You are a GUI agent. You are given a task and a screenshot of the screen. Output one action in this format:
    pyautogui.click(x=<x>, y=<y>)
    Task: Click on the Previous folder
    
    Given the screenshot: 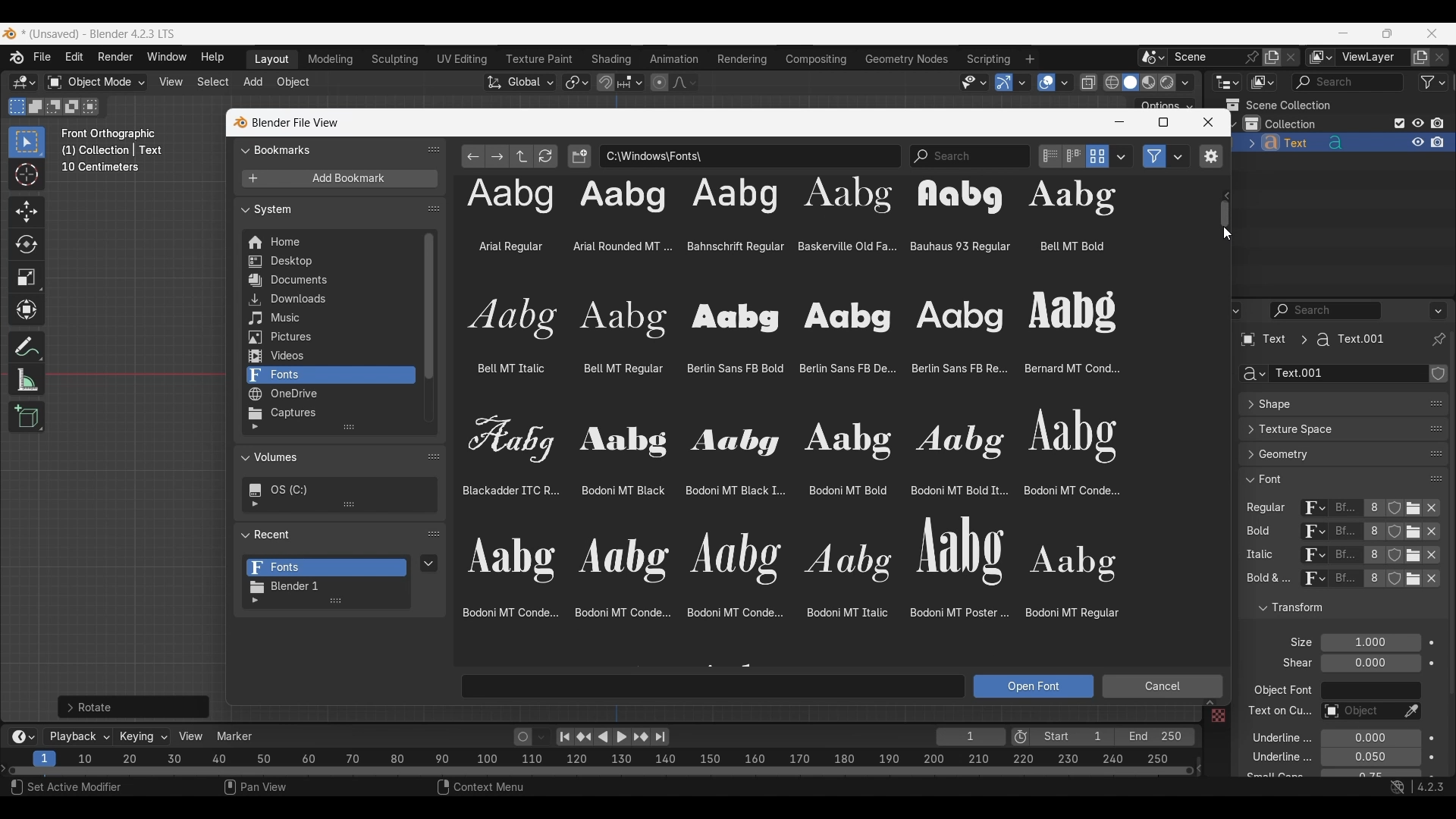 What is the action you would take?
    pyautogui.click(x=474, y=156)
    